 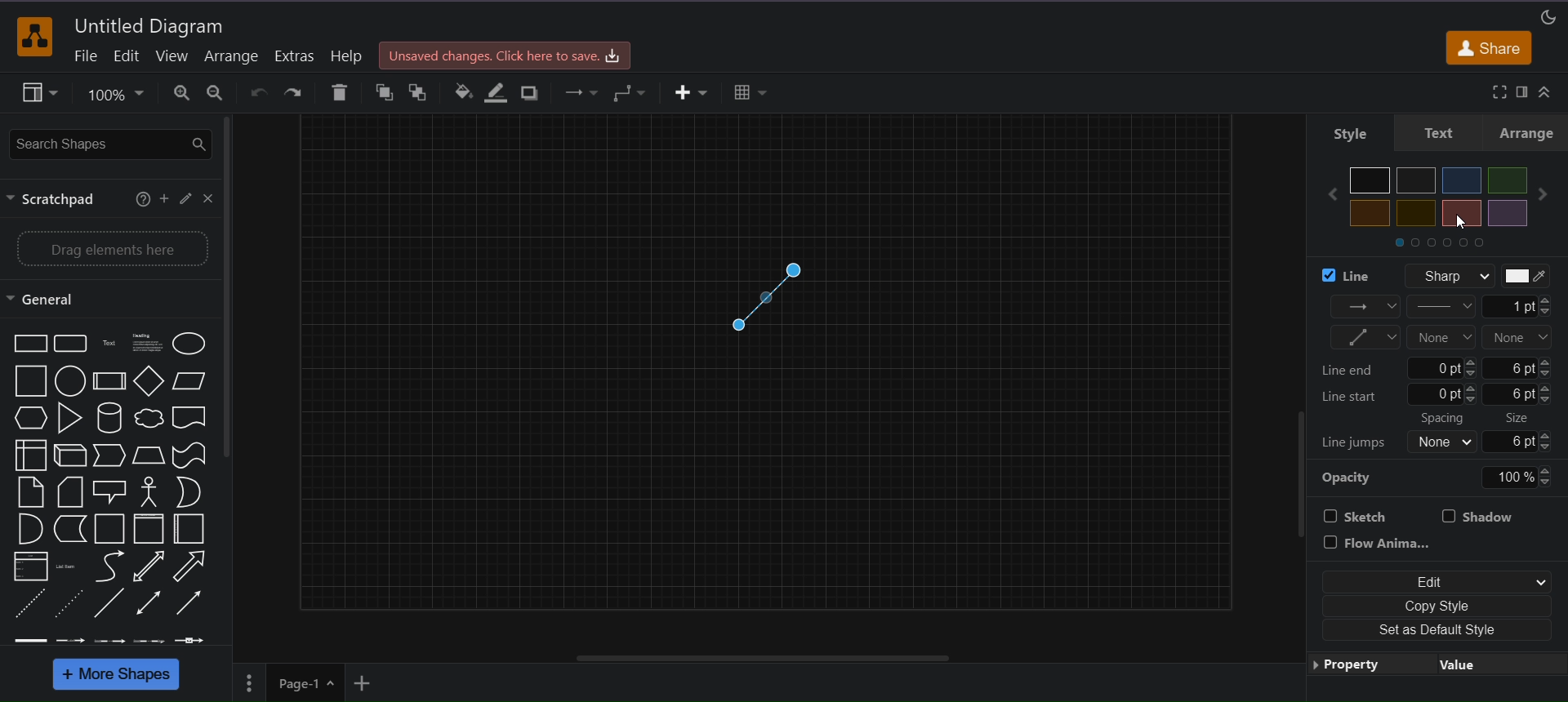 What do you see at coordinates (1294, 484) in the screenshot?
I see `vertical scrollbar` at bounding box center [1294, 484].